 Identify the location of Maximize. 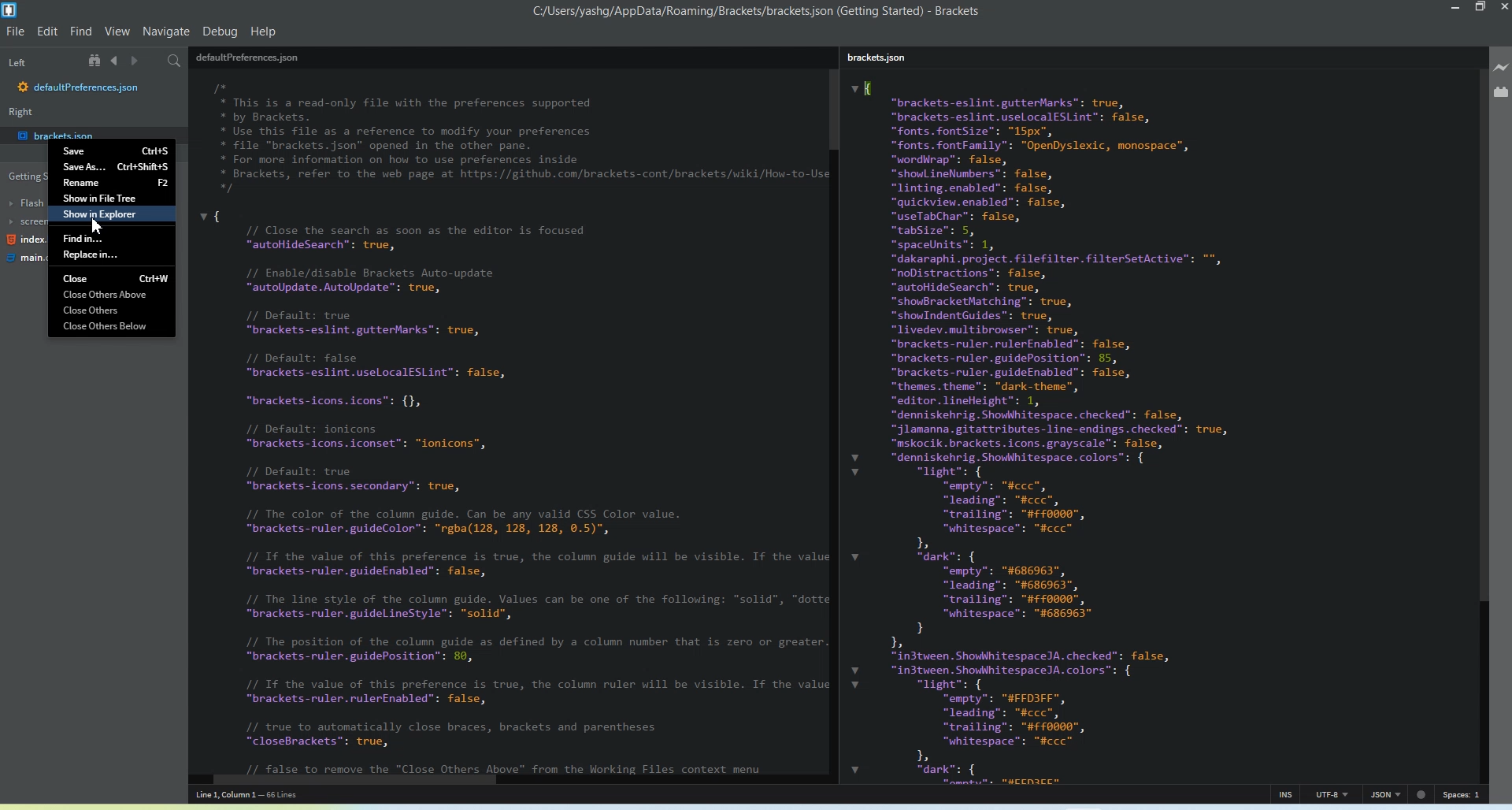
(1481, 8).